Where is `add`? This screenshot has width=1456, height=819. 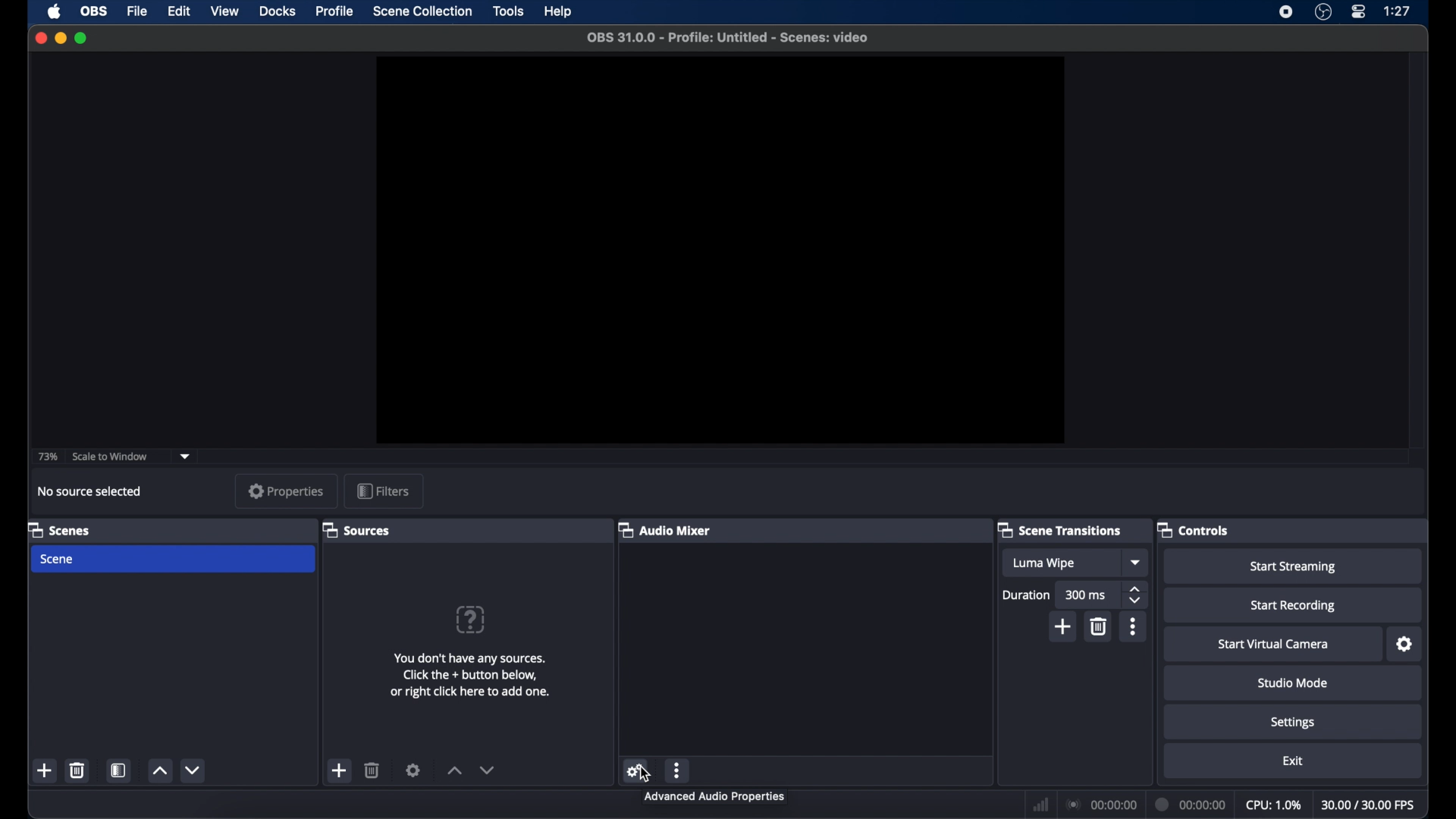
add is located at coordinates (340, 771).